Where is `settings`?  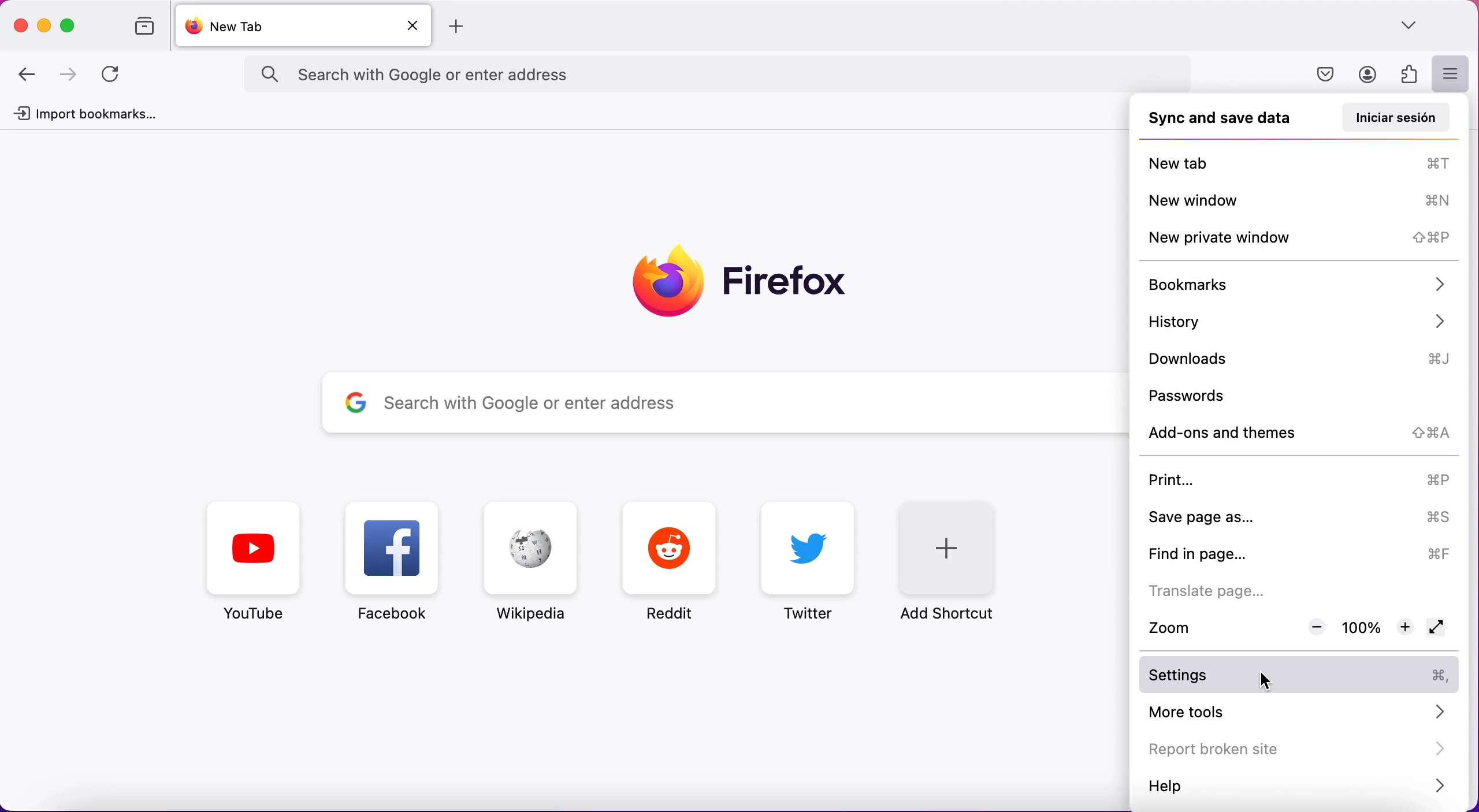
settings is located at coordinates (1302, 676).